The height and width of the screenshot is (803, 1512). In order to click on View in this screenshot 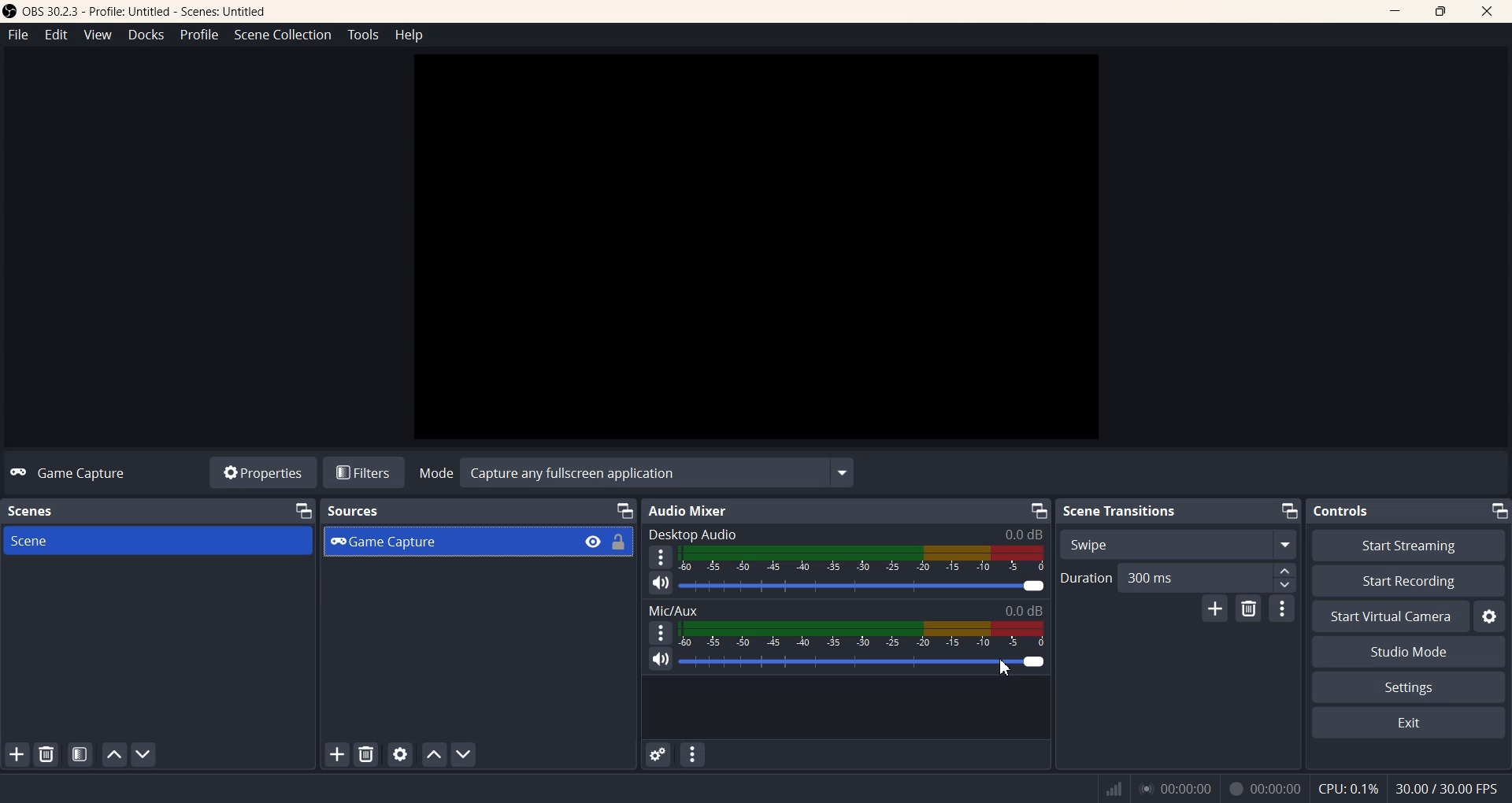, I will do `click(98, 35)`.